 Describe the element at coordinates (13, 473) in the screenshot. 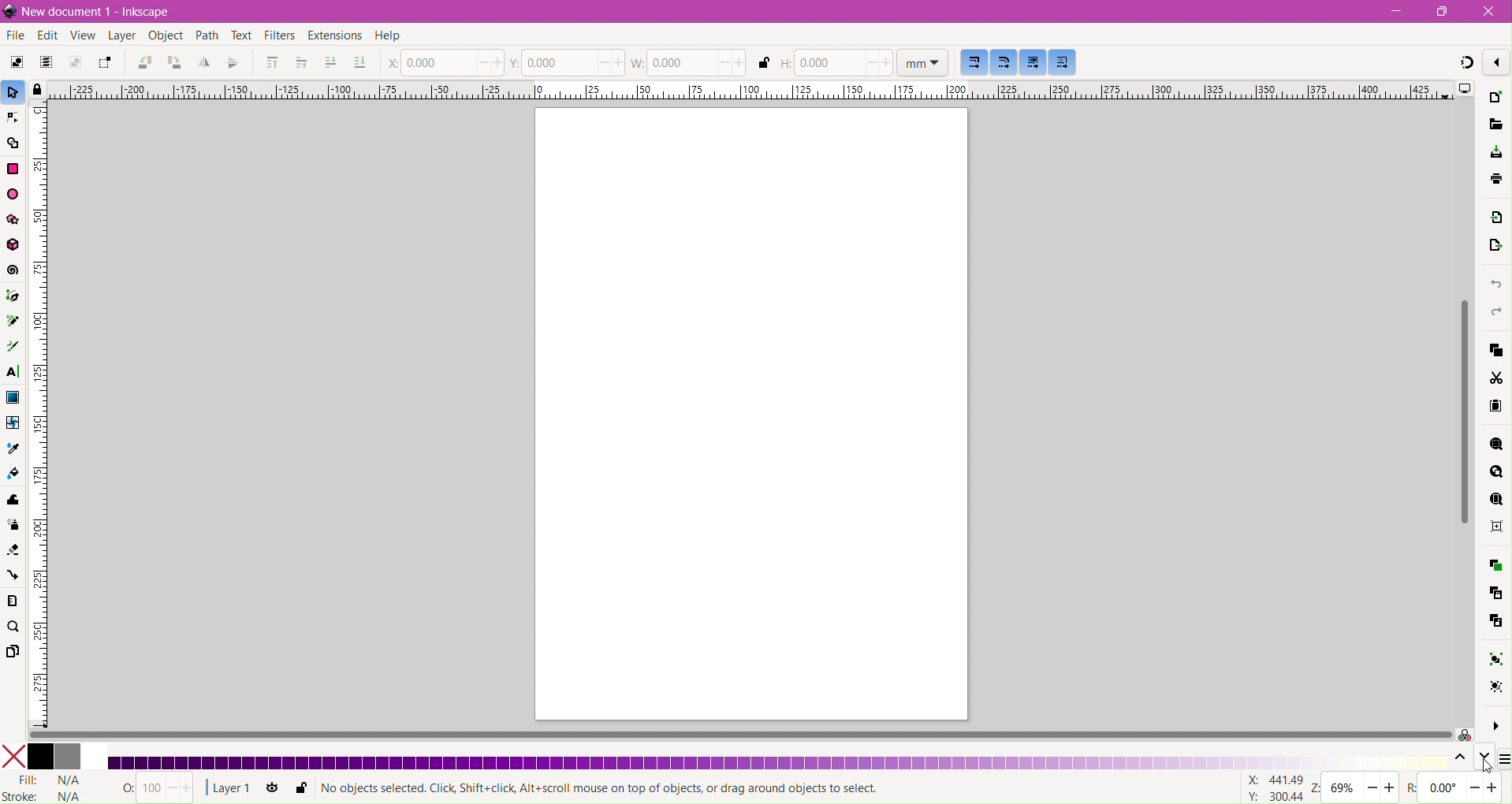

I see `Paint Bucket Tool` at that location.